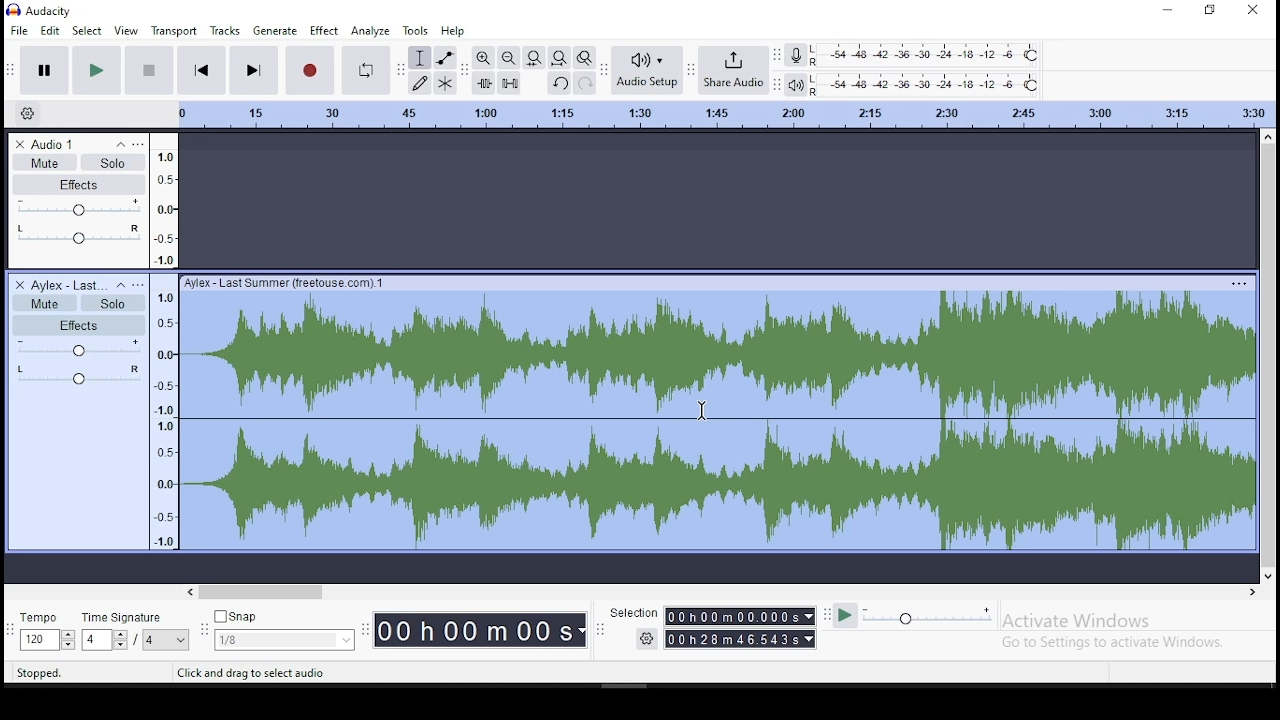 The width and height of the screenshot is (1280, 720). I want to click on zoom in, so click(483, 58).